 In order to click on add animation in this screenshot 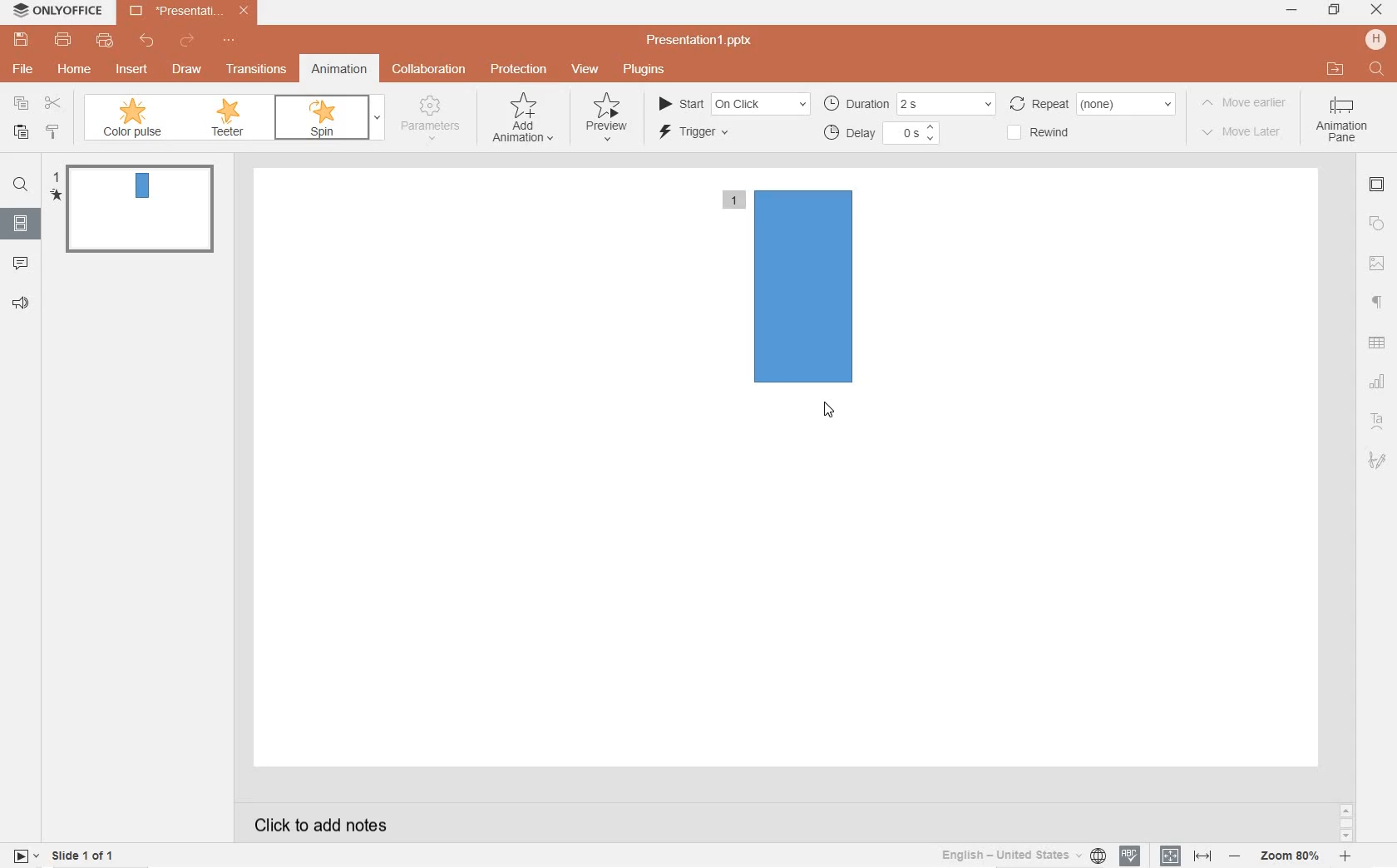, I will do `click(525, 117)`.